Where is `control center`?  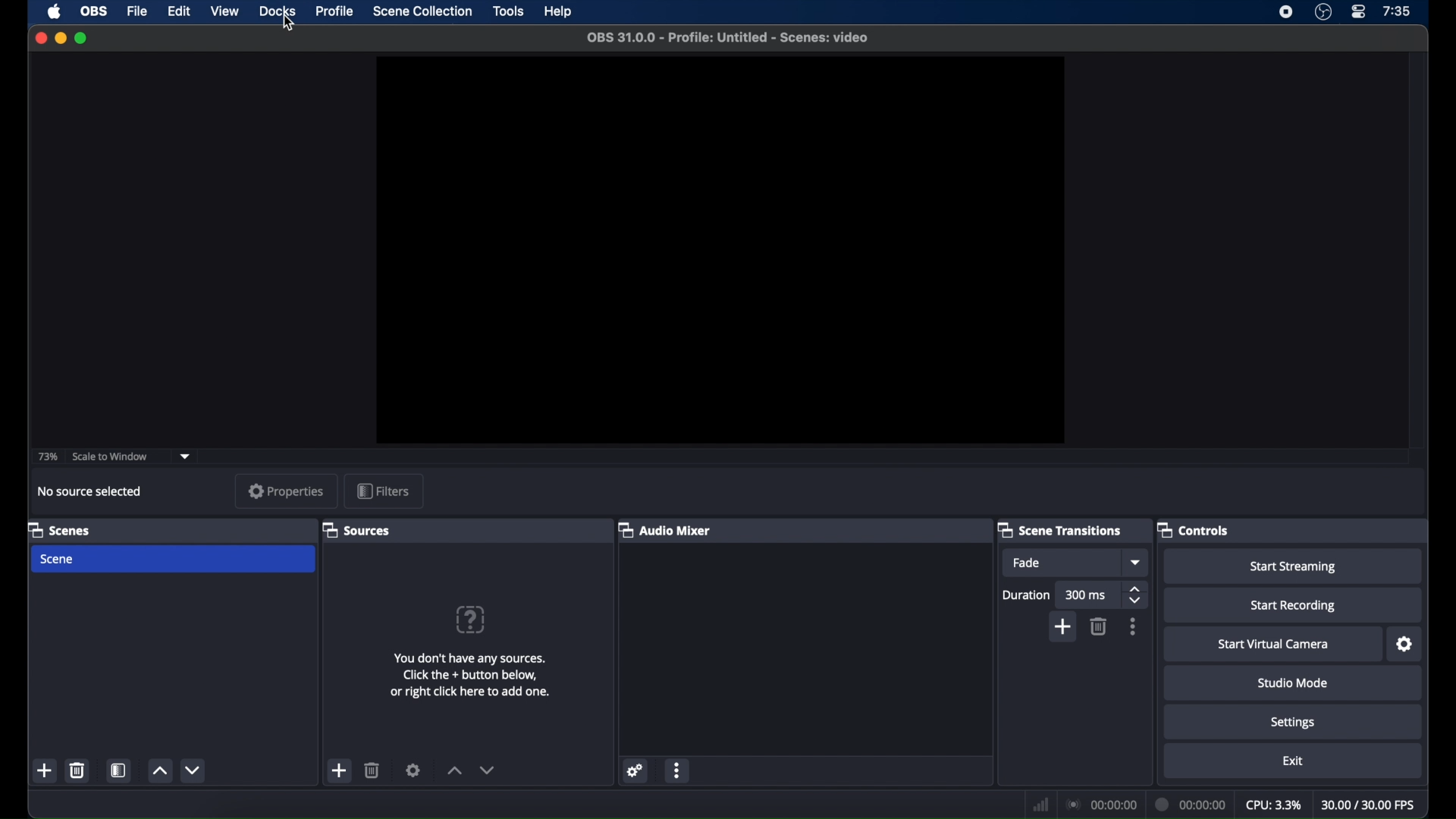
control center is located at coordinates (1357, 12).